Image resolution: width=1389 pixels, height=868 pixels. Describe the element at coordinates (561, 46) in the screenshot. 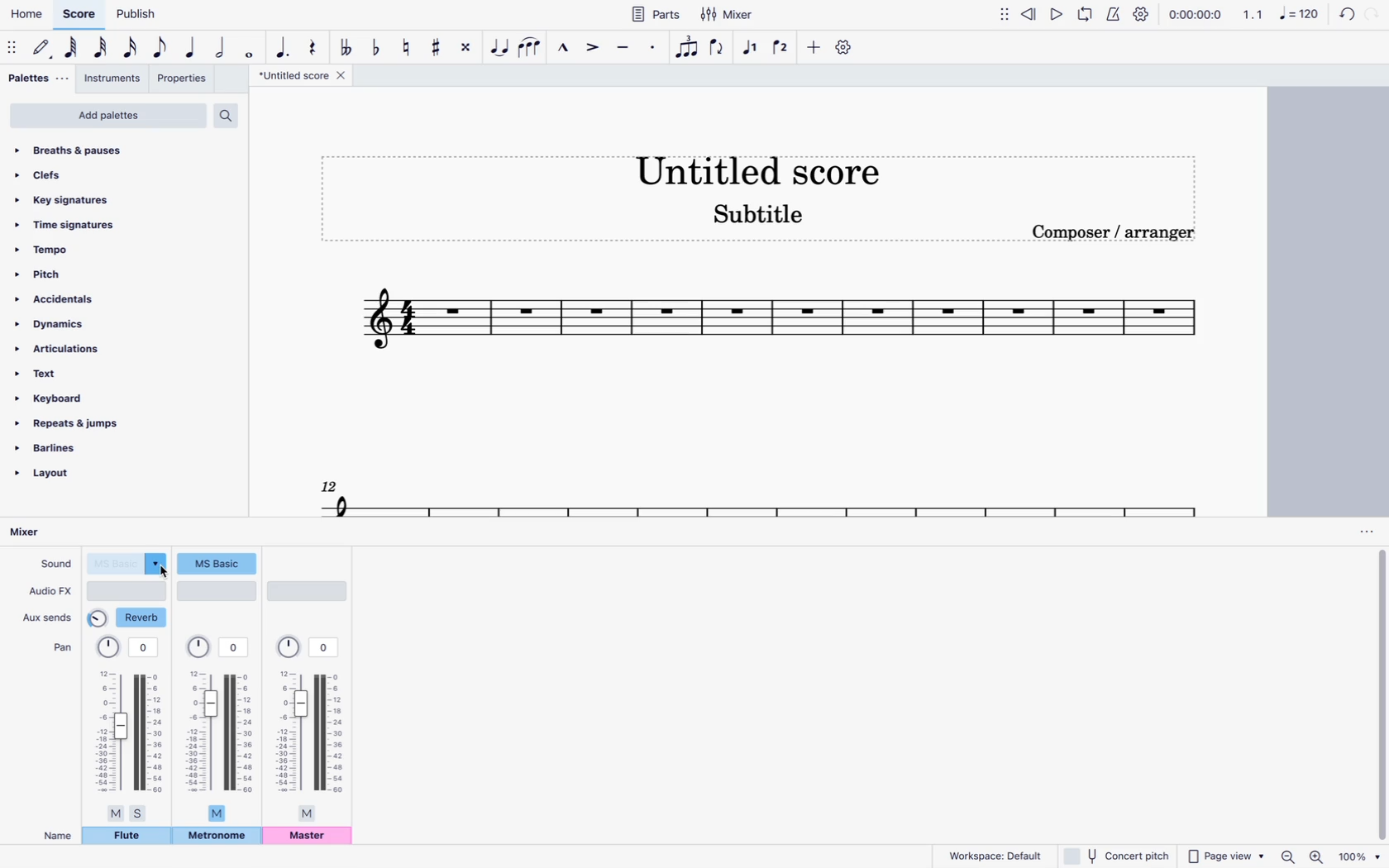

I see `marcato` at that location.